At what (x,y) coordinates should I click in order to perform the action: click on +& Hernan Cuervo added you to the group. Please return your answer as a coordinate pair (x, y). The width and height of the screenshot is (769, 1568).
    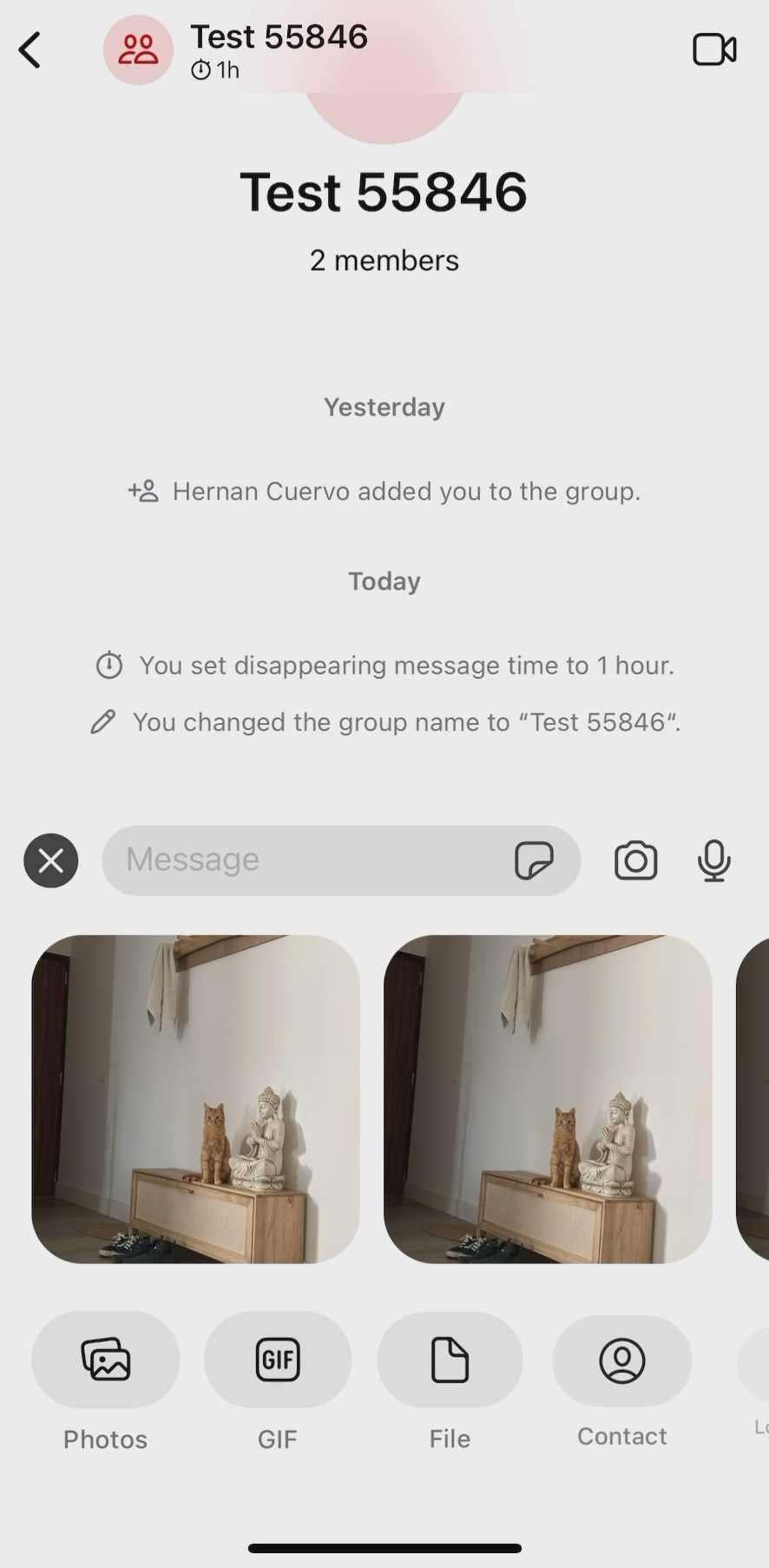
    Looking at the image, I should click on (402, 485).